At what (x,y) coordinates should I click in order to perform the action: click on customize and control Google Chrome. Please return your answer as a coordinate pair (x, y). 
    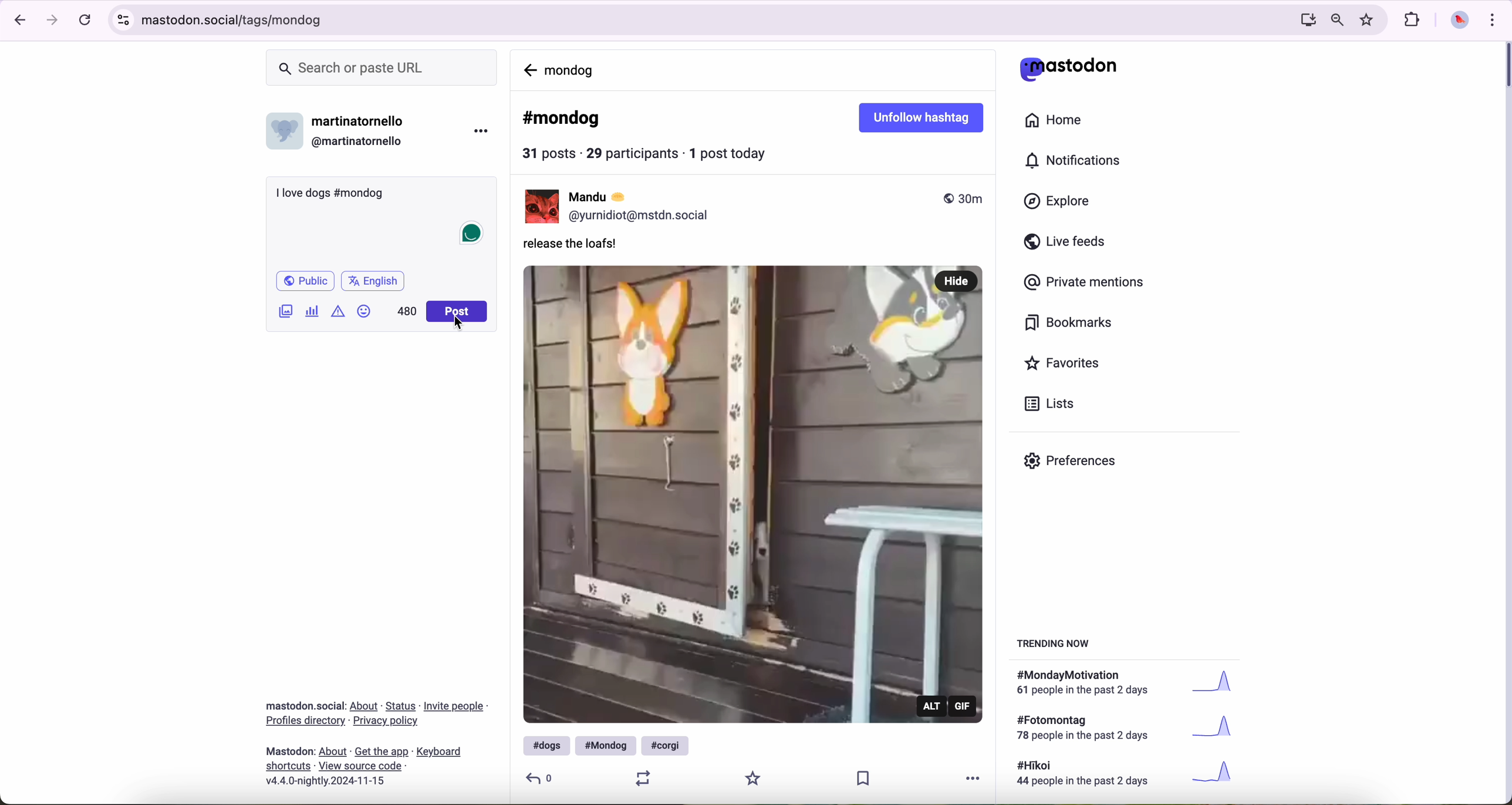
    Looking at the image, I should click on (1496, 20).